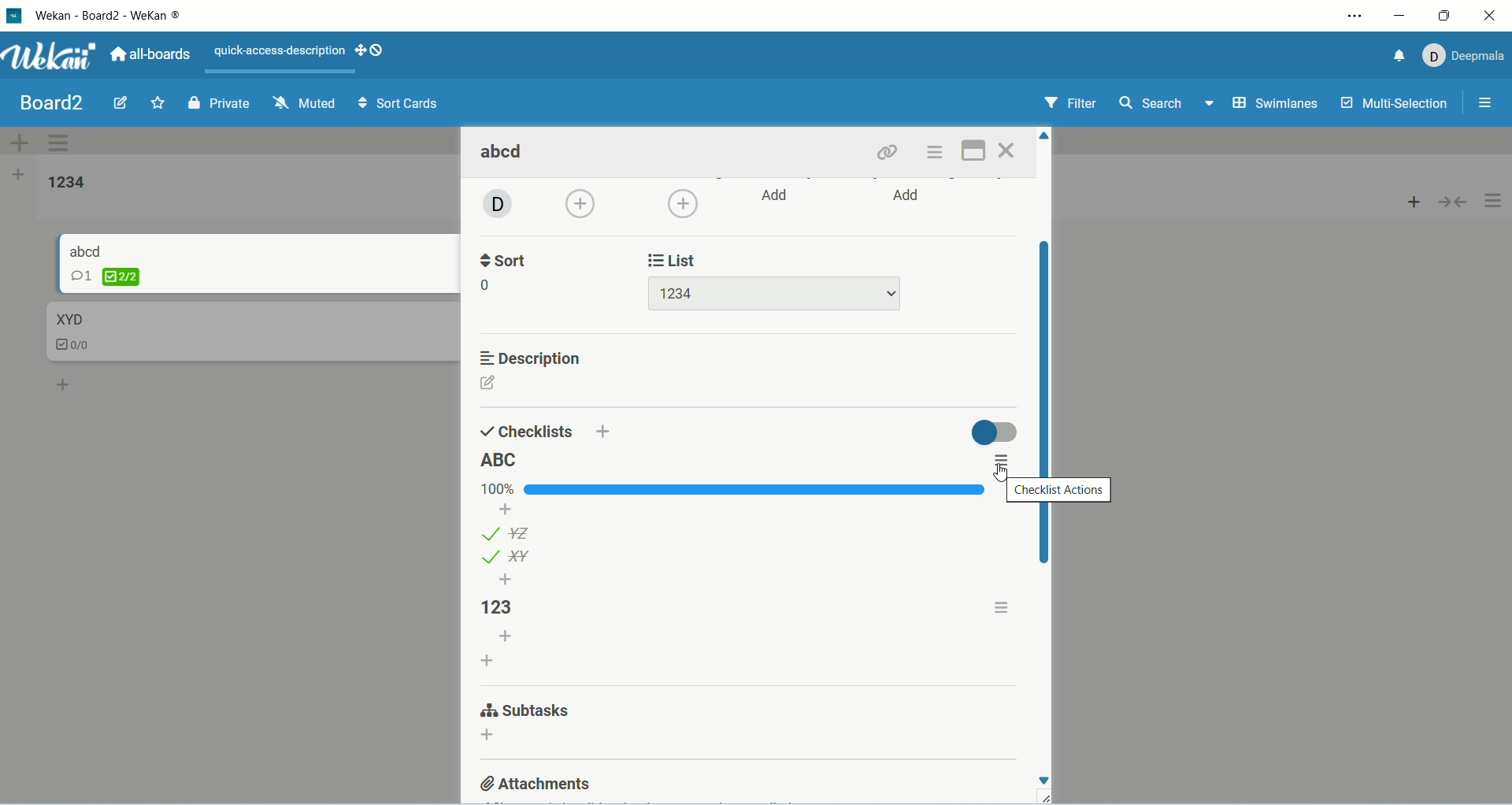  I want to click on Up, so click(1045, 135).